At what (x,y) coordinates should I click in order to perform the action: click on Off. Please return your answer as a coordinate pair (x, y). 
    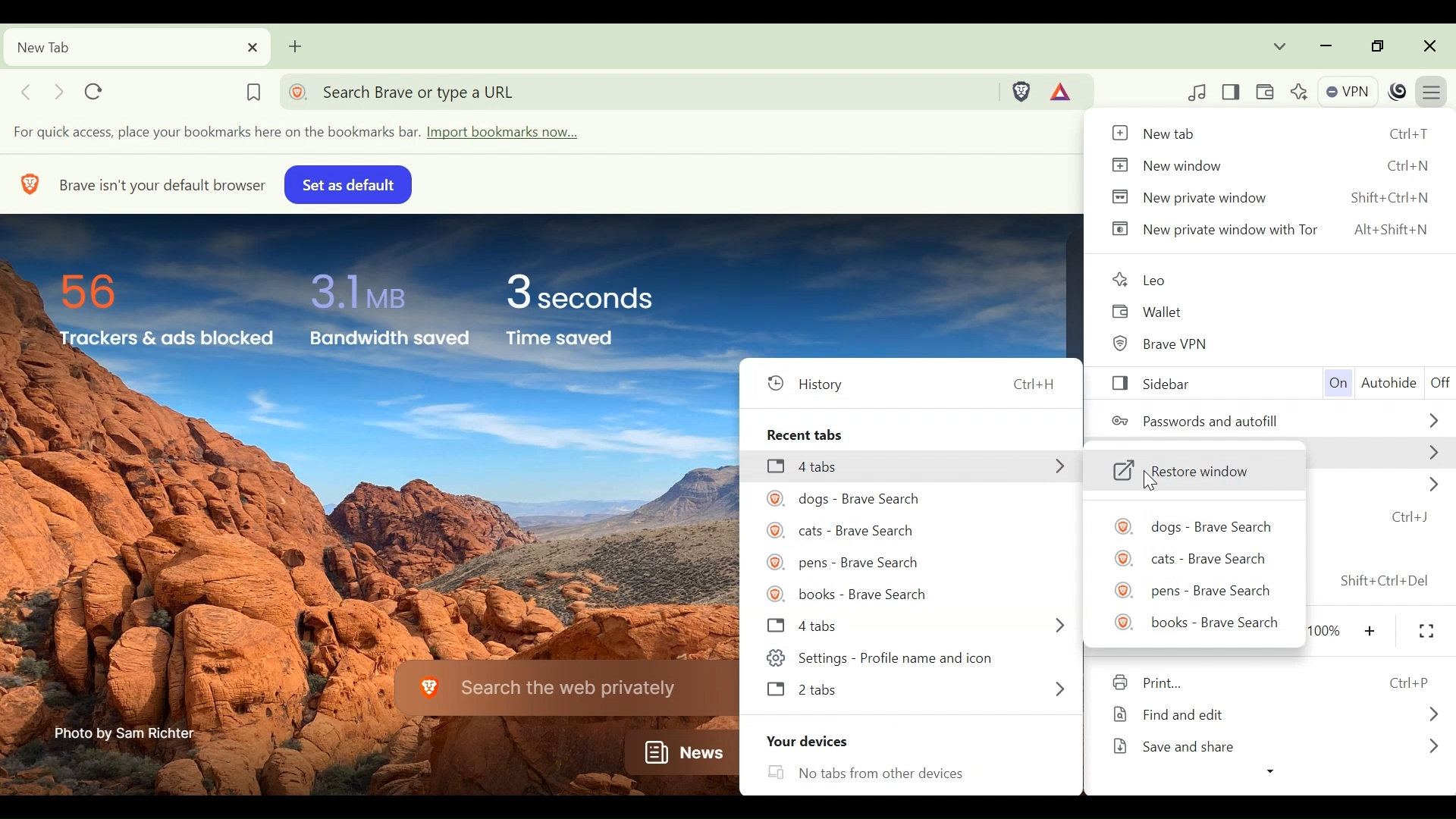
    Looking at the image, I should click on (1437, 381).